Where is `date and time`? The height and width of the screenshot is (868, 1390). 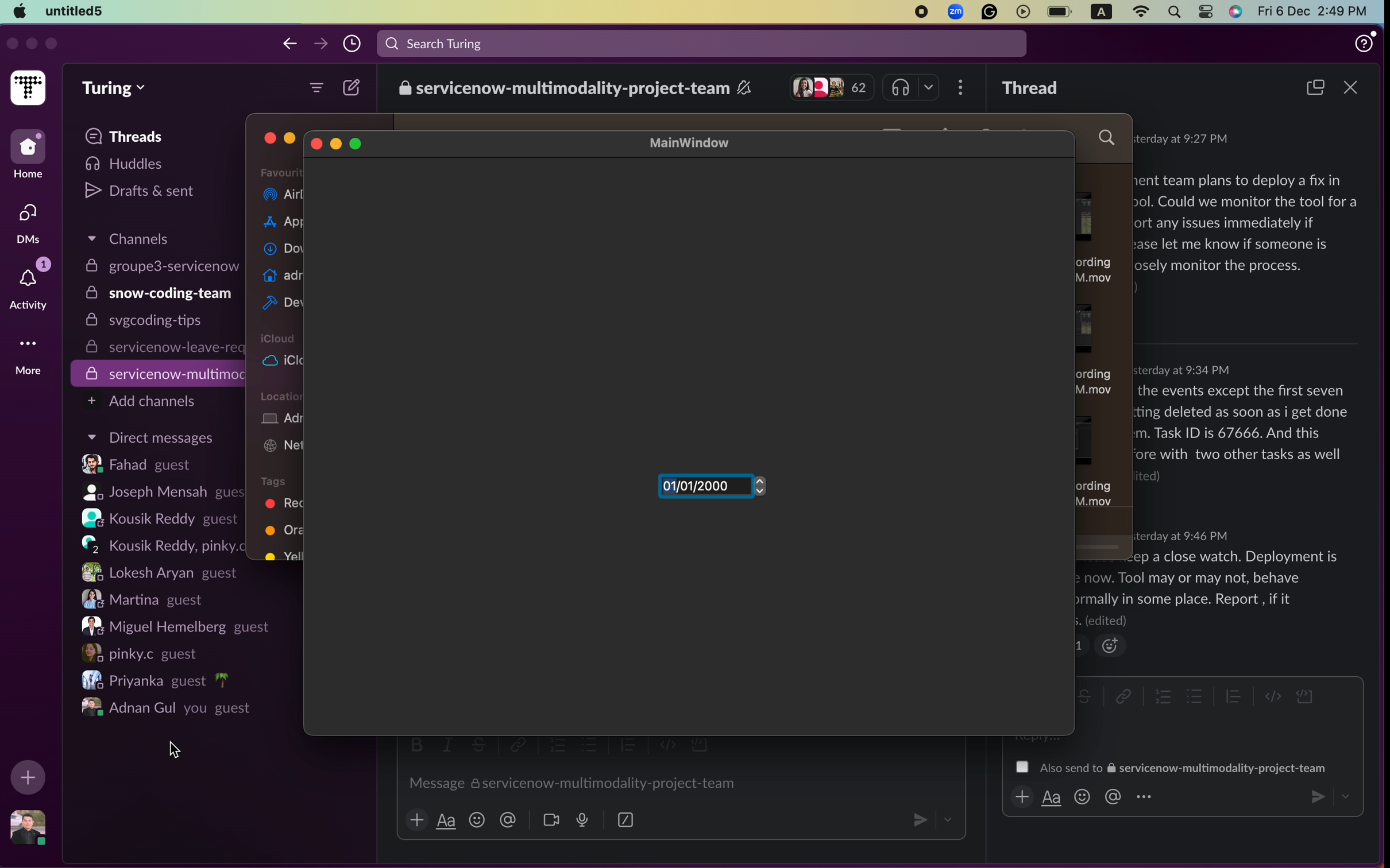 date and time is located at coordinates (1181, 138).